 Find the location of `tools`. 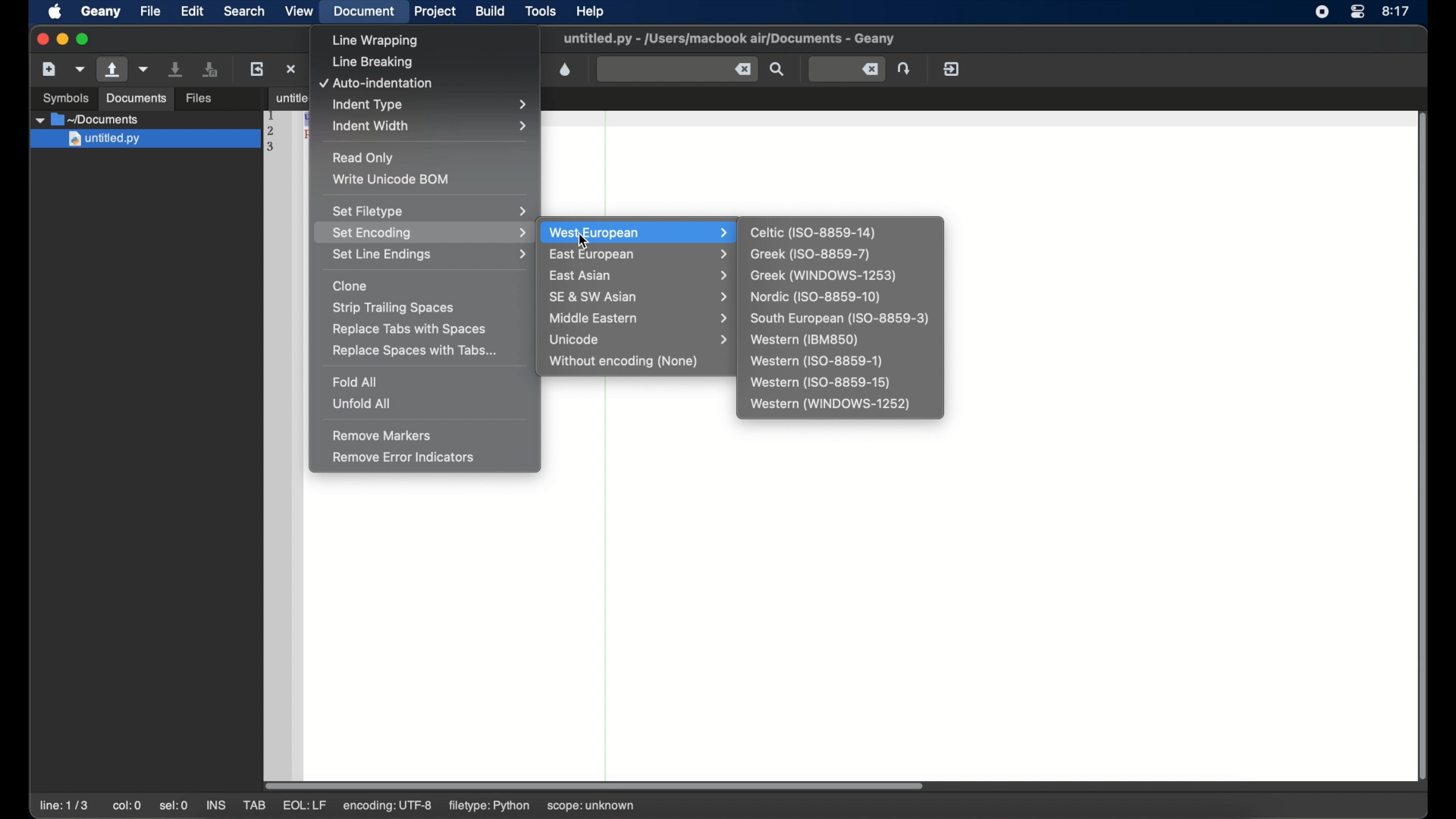

tools is located at coordinates (541, 10).